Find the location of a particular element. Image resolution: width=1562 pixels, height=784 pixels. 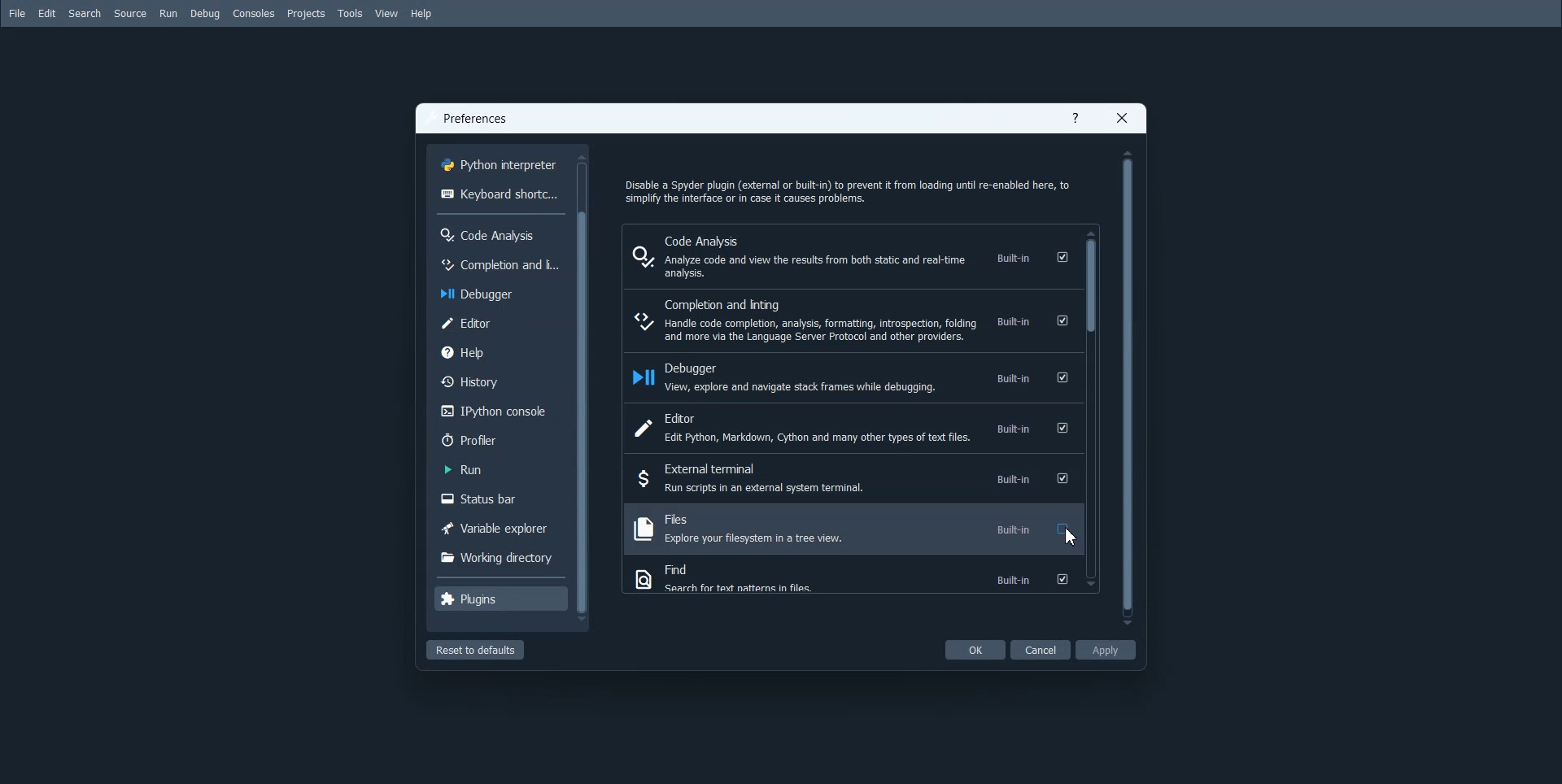

Close is located at coordinates (1122, 118).